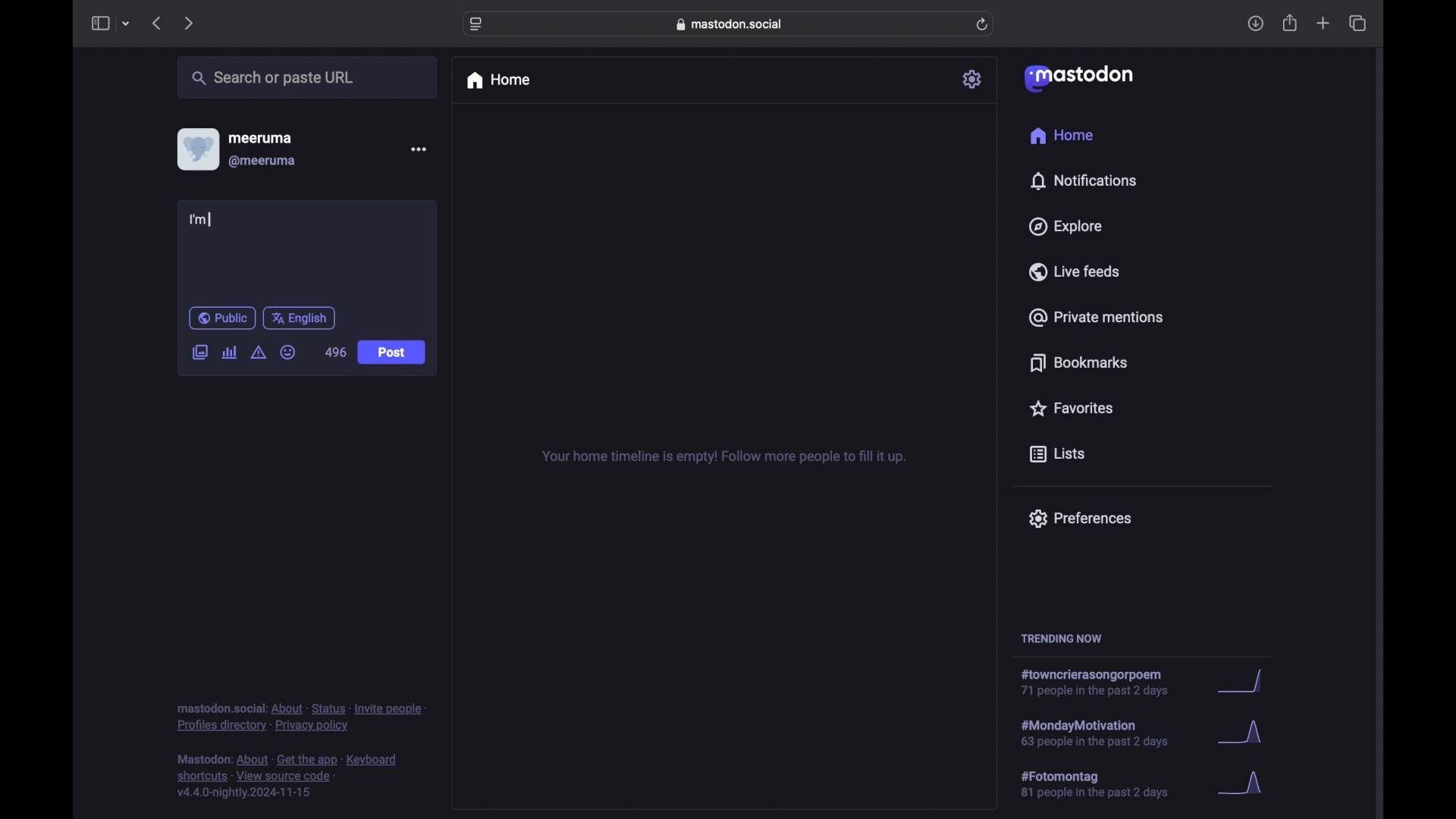  I want to click on home, so click(1063, 135).